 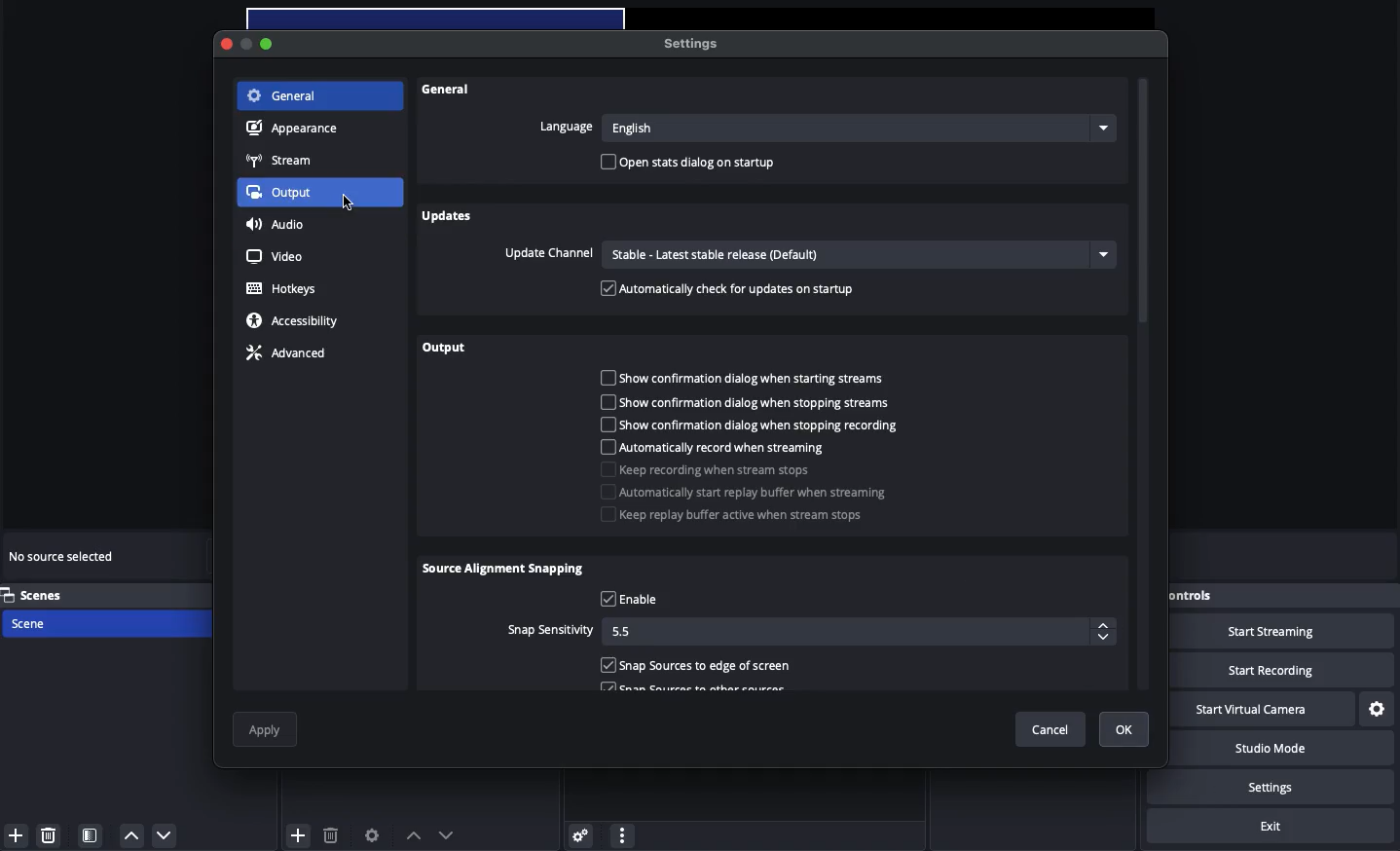 I want to click on Start virtual camera, so click(x=1246, y=710).